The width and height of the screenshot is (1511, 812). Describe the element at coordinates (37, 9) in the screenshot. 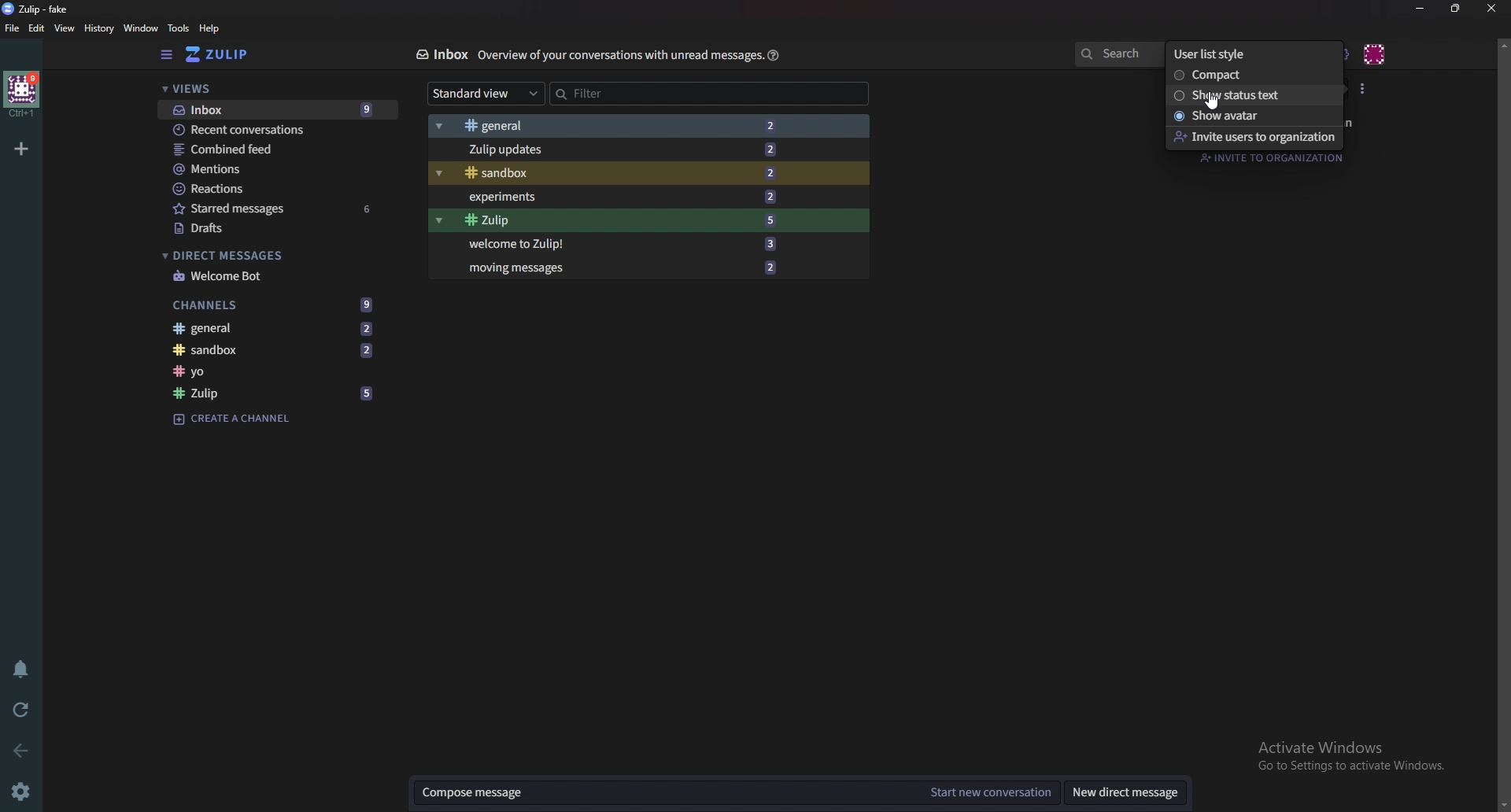

I see `zulip` at that location.